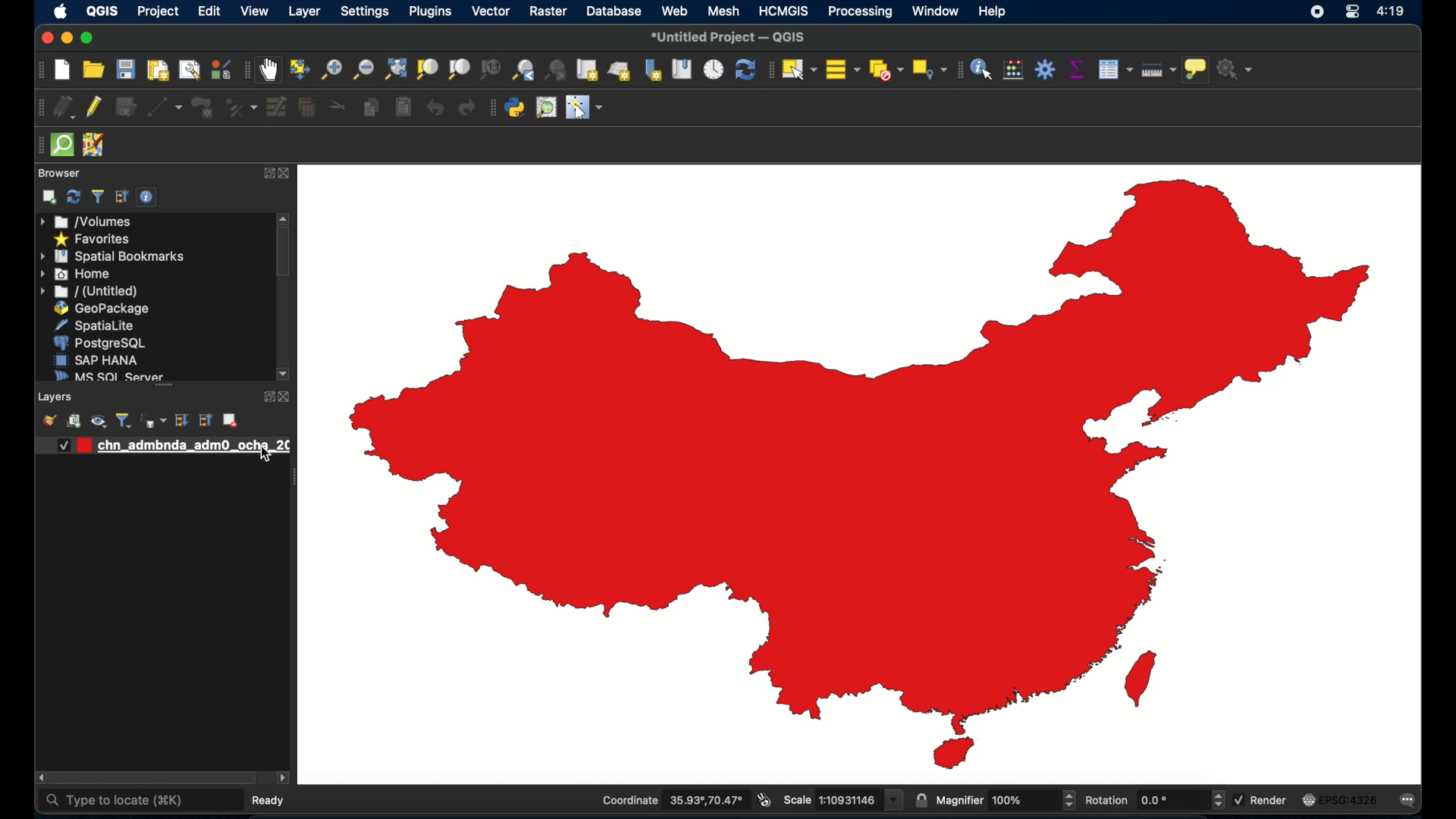 The width and height of the screenshot is (1456, 819). I want to click on copy features, so click(371, 108).